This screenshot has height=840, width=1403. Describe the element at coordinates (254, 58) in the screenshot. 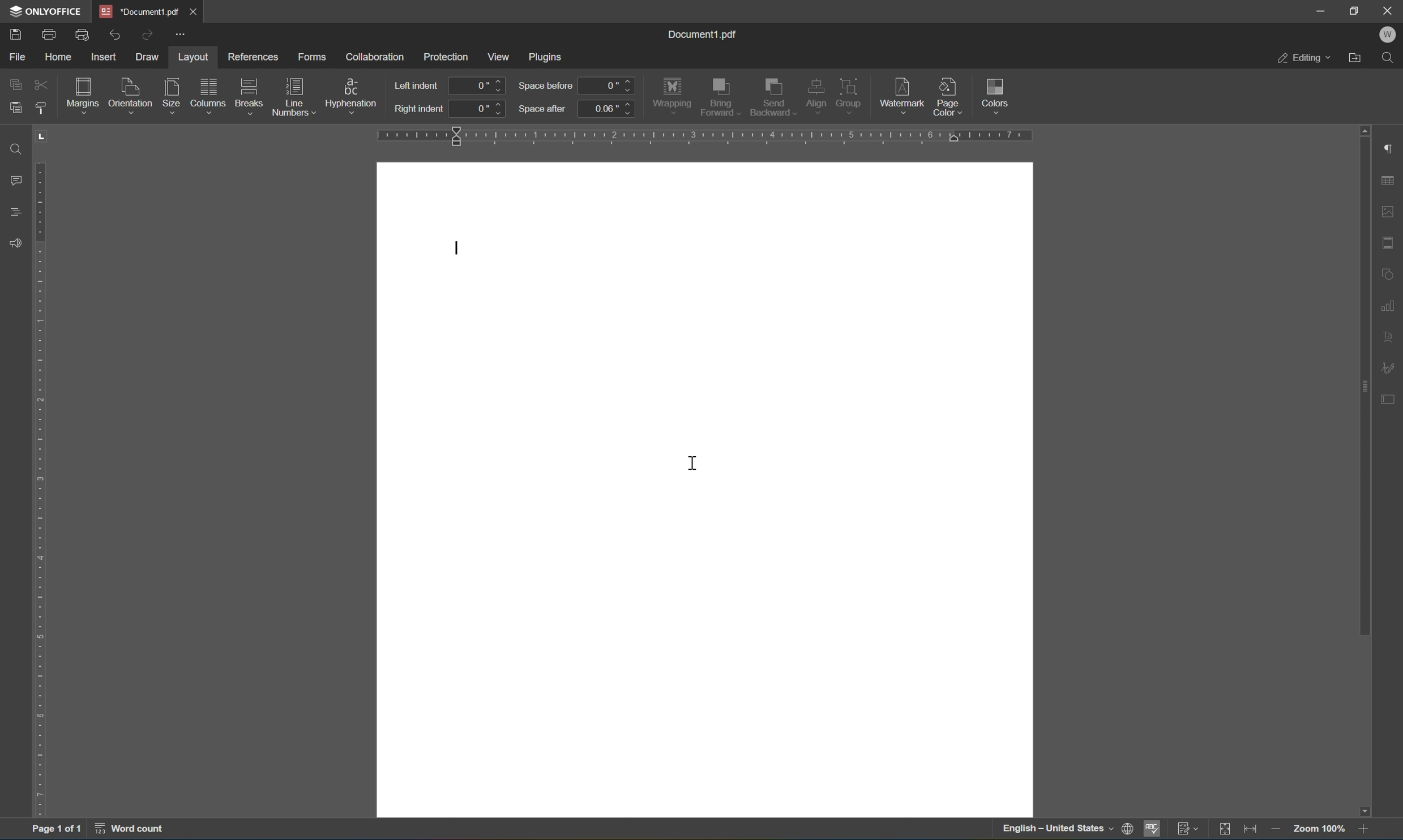

I see `references` at that location.